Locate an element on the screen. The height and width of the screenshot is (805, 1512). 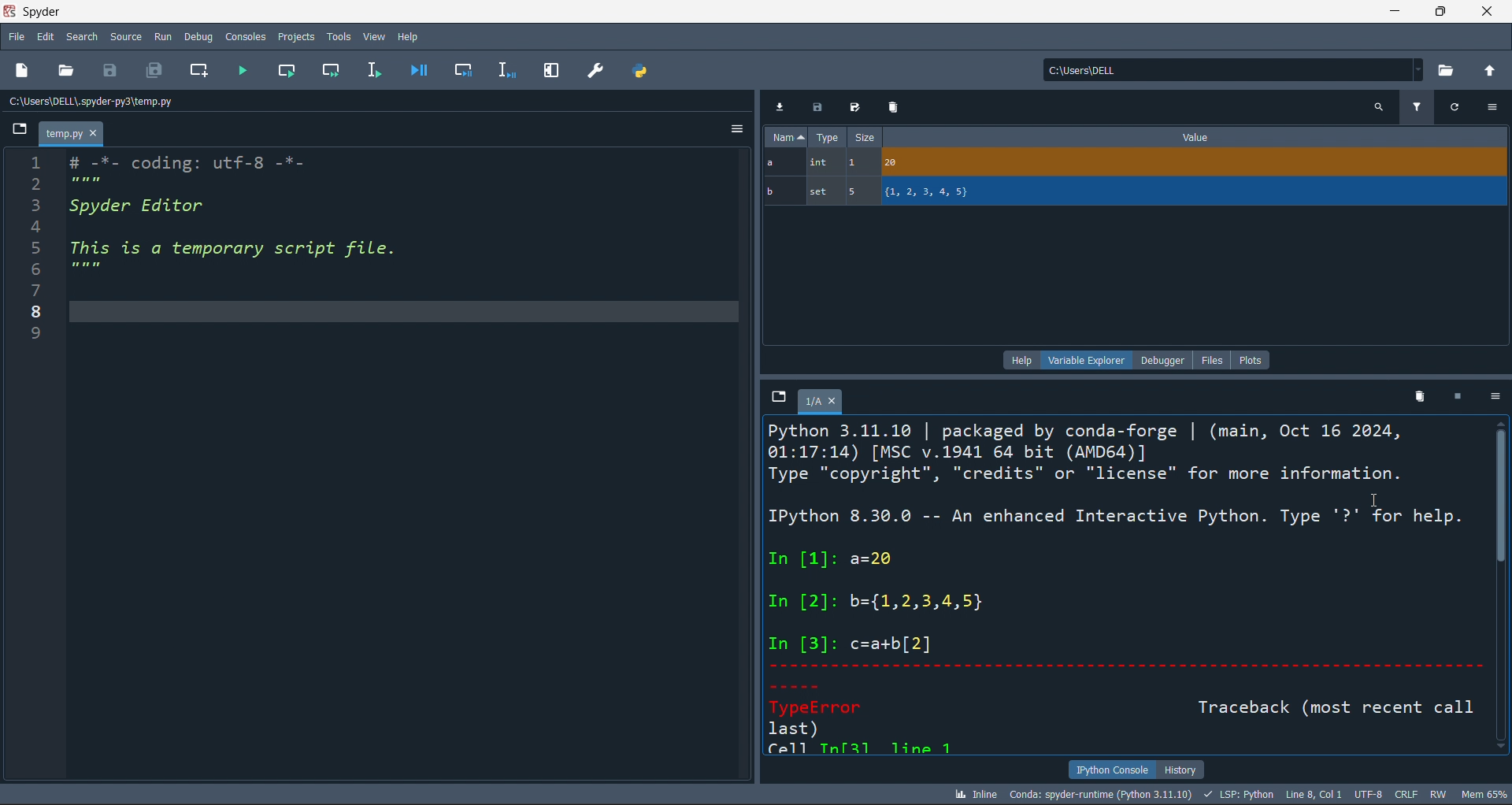
save all is located at coordinates (154, 72).